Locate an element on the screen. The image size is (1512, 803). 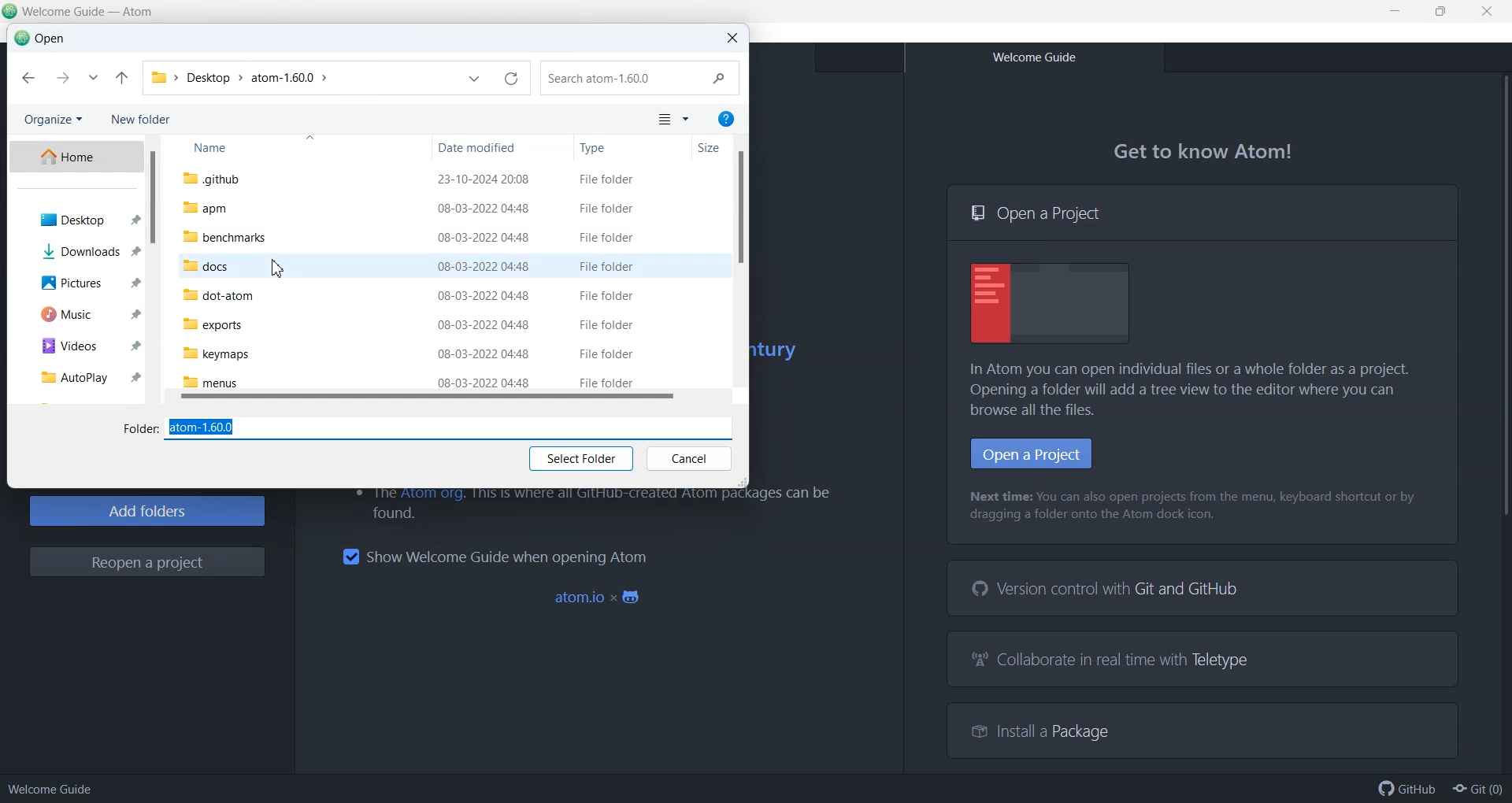
More Options is located at coordinates (687, 120).